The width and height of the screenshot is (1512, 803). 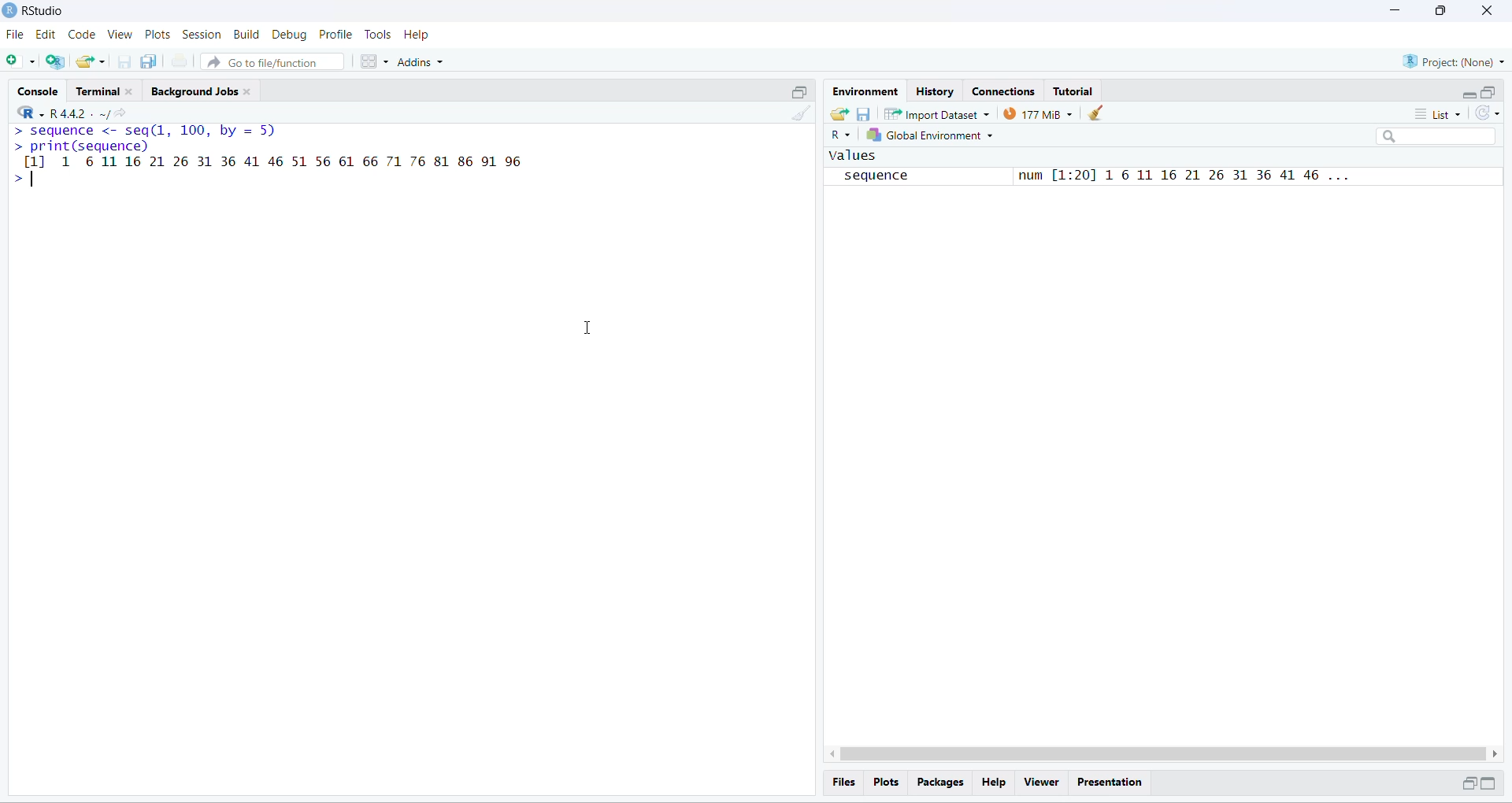 What do you see at coordinates (16, 35) in the screenshot?
I see `file` at bounding box center [16, 35].